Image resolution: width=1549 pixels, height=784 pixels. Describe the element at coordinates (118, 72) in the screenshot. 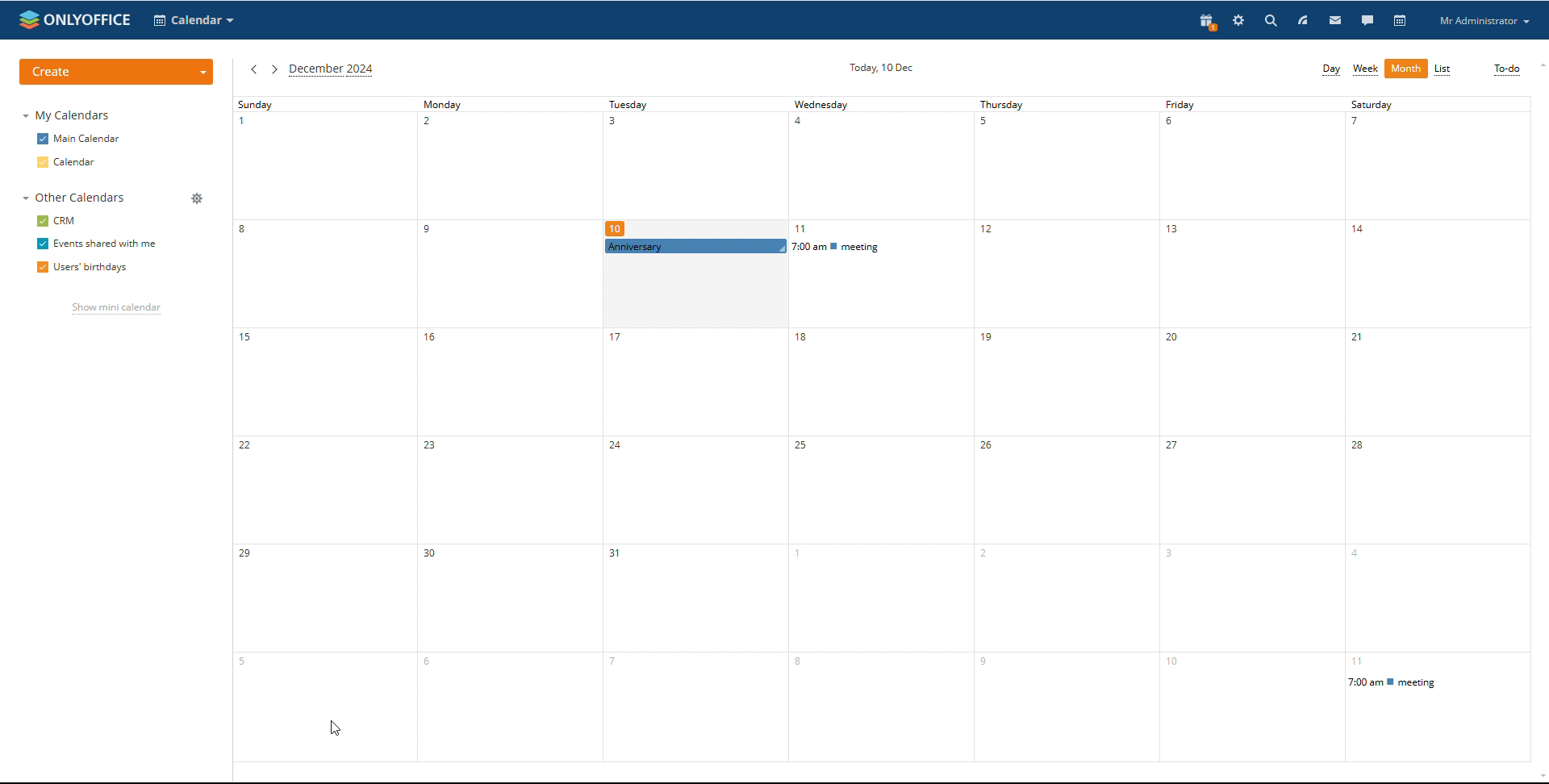

I see `create` at that location.